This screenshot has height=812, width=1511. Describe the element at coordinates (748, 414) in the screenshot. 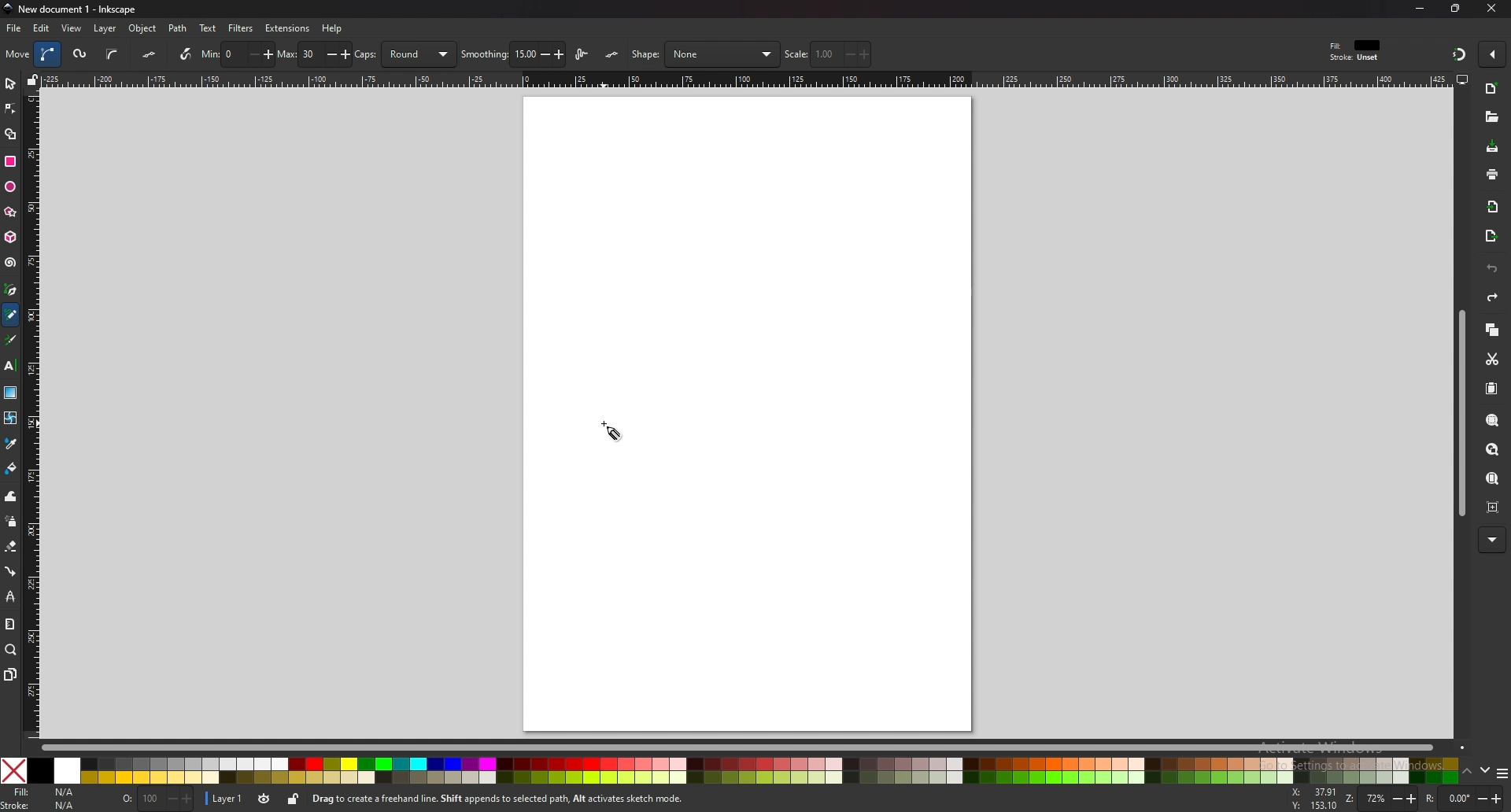

I see `page` at that location.